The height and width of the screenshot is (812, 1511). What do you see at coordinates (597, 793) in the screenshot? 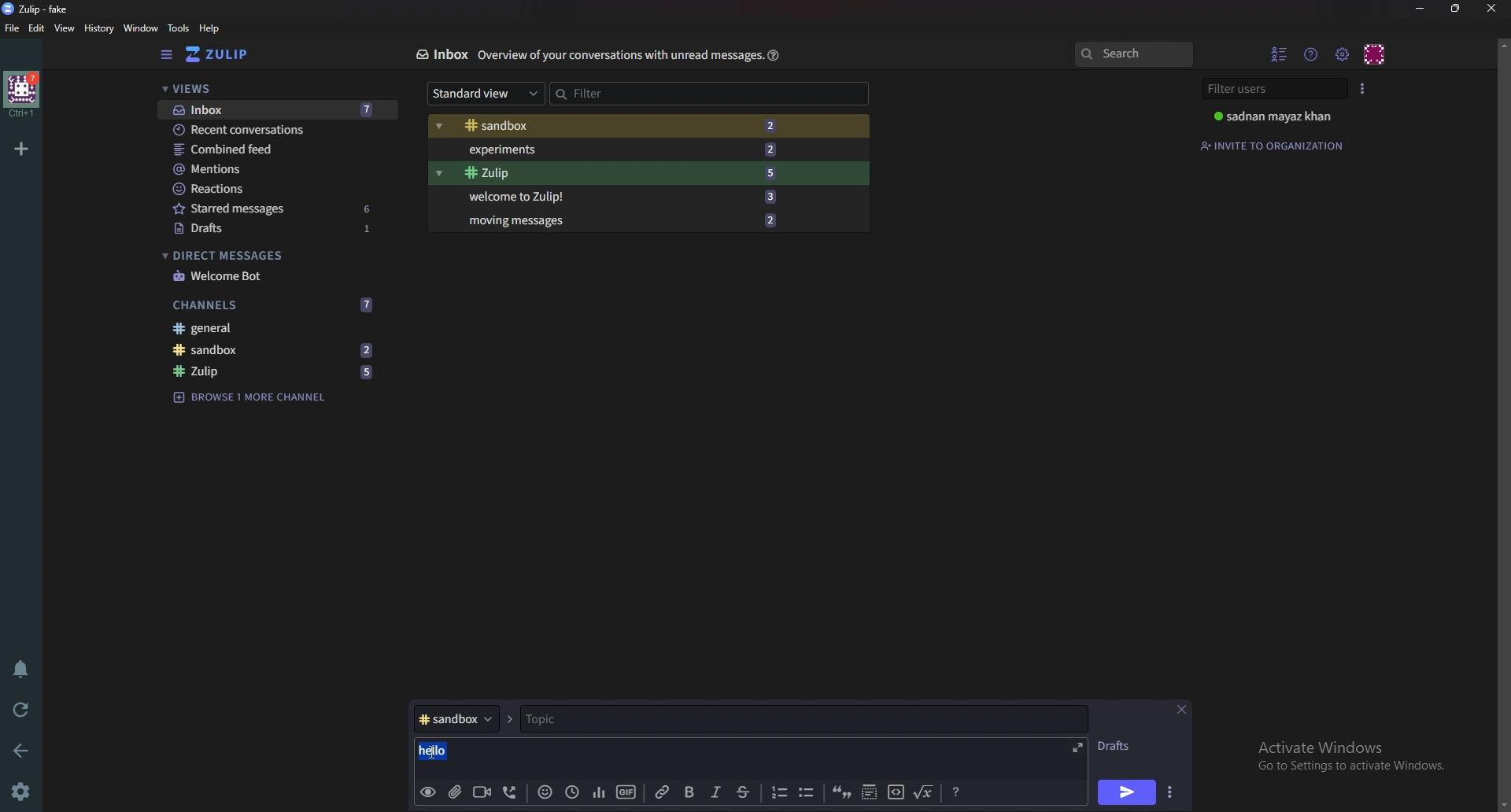
I see `Poll` at bounding box center [597, 793].